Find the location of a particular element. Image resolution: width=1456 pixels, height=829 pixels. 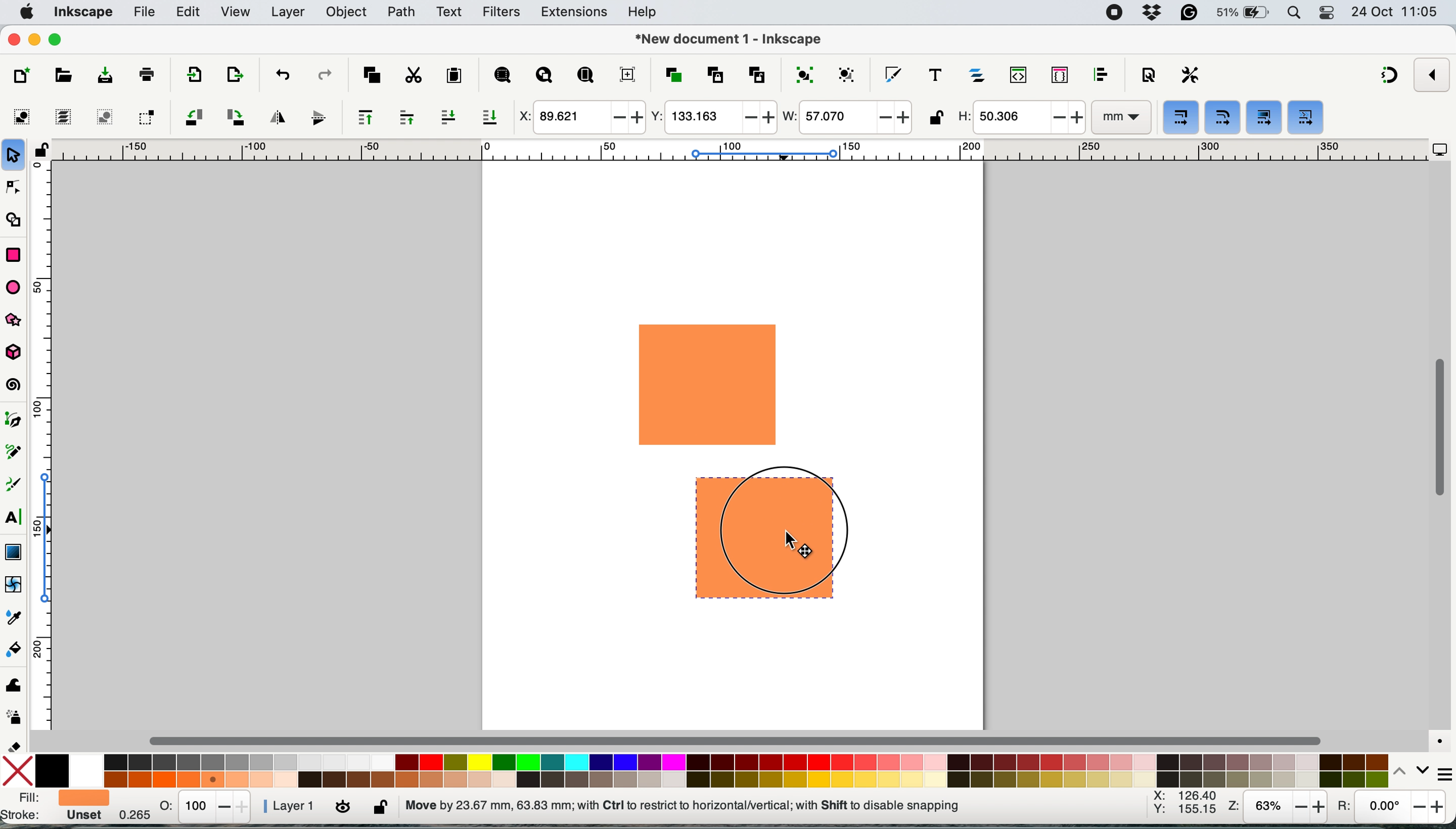

layers and objects is located at coordinates (979, 75).